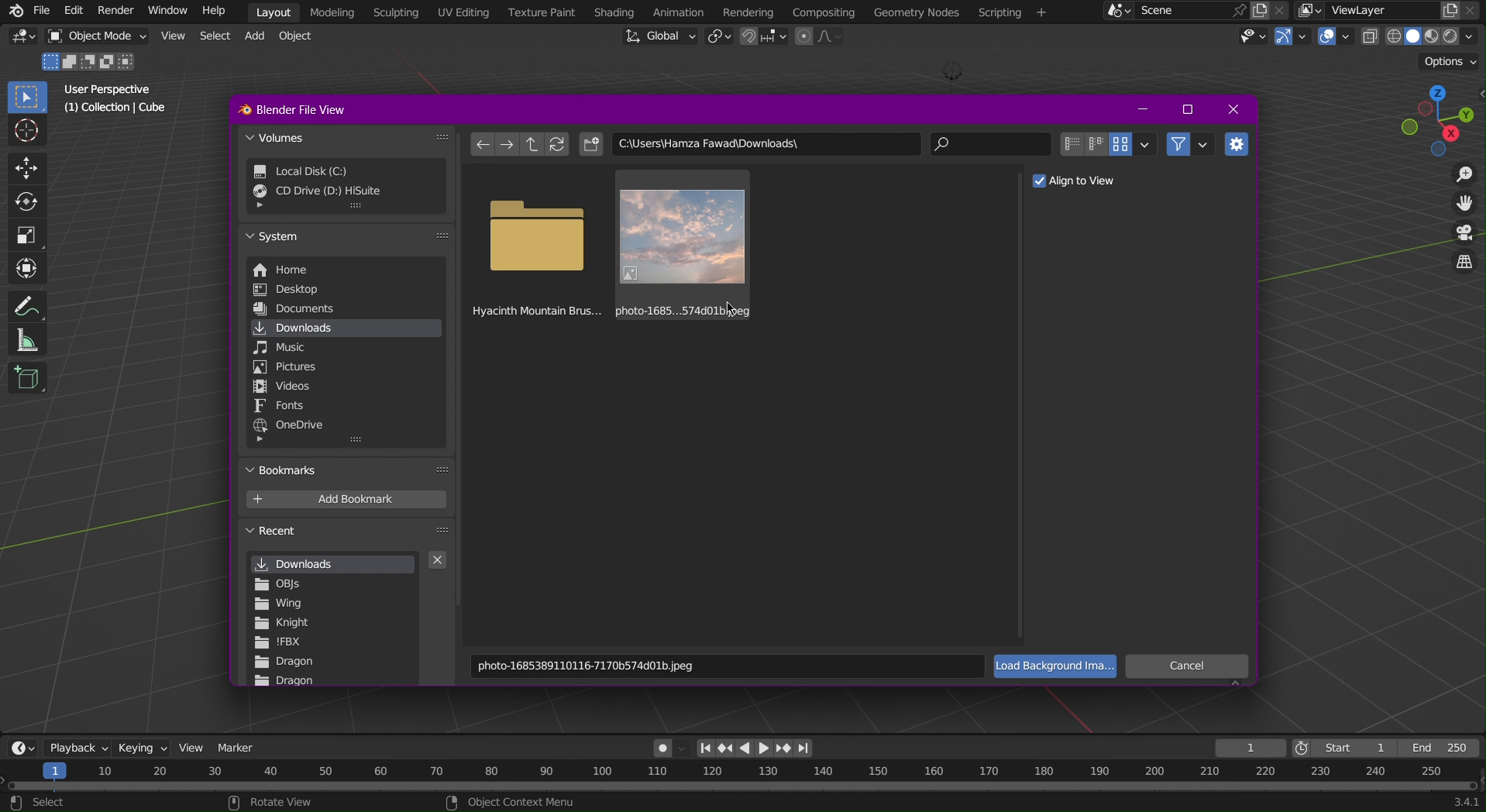 The height and width of the screenshot is (812, 1486). What do you see at coordinates (658, 37) in the screenshot?
I see `Global` at bounding box center [658, 37].